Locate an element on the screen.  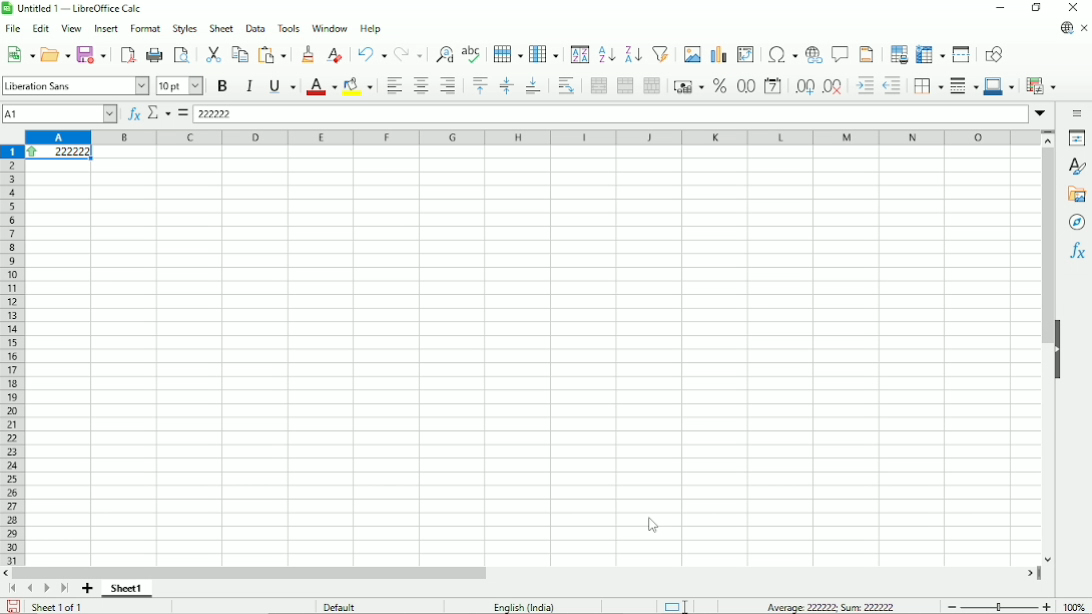
Borders is located at coordinates (928, 85).